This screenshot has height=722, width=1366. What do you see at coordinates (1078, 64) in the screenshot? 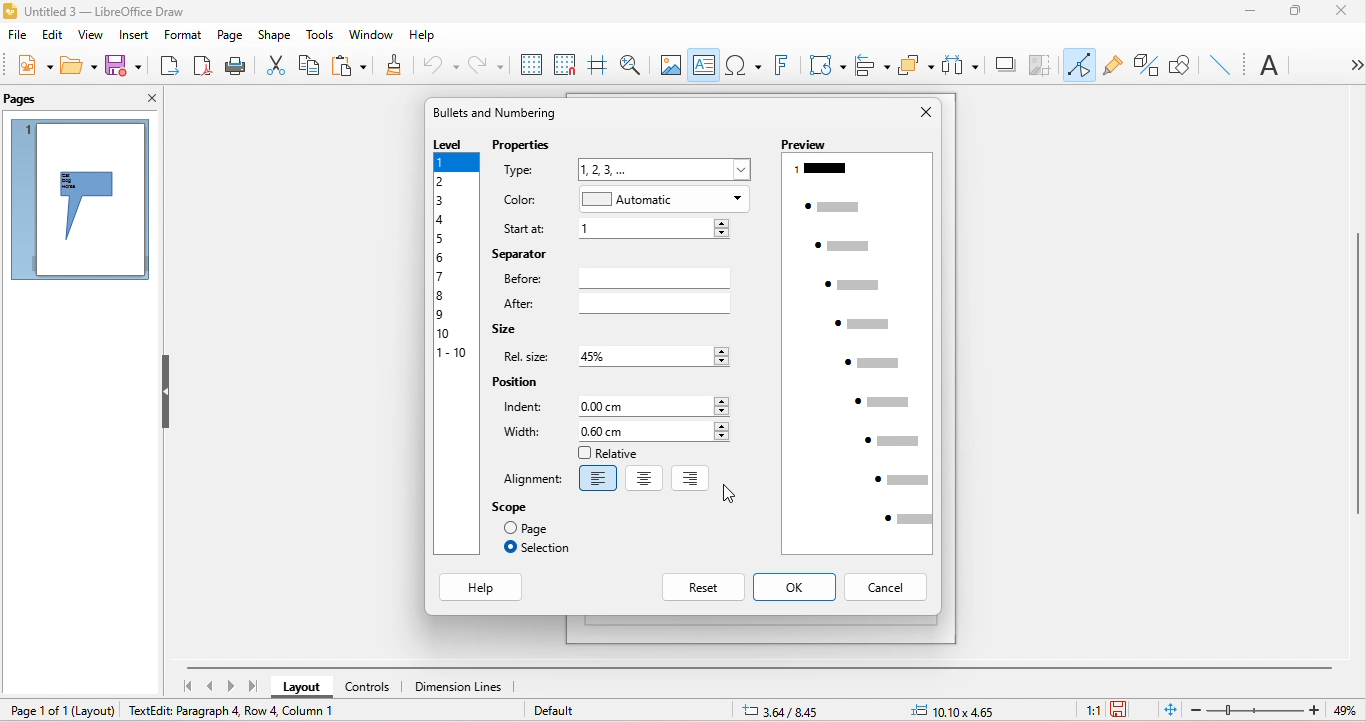
I see `toggle point edit mode` at bounding box center [1078, 64].